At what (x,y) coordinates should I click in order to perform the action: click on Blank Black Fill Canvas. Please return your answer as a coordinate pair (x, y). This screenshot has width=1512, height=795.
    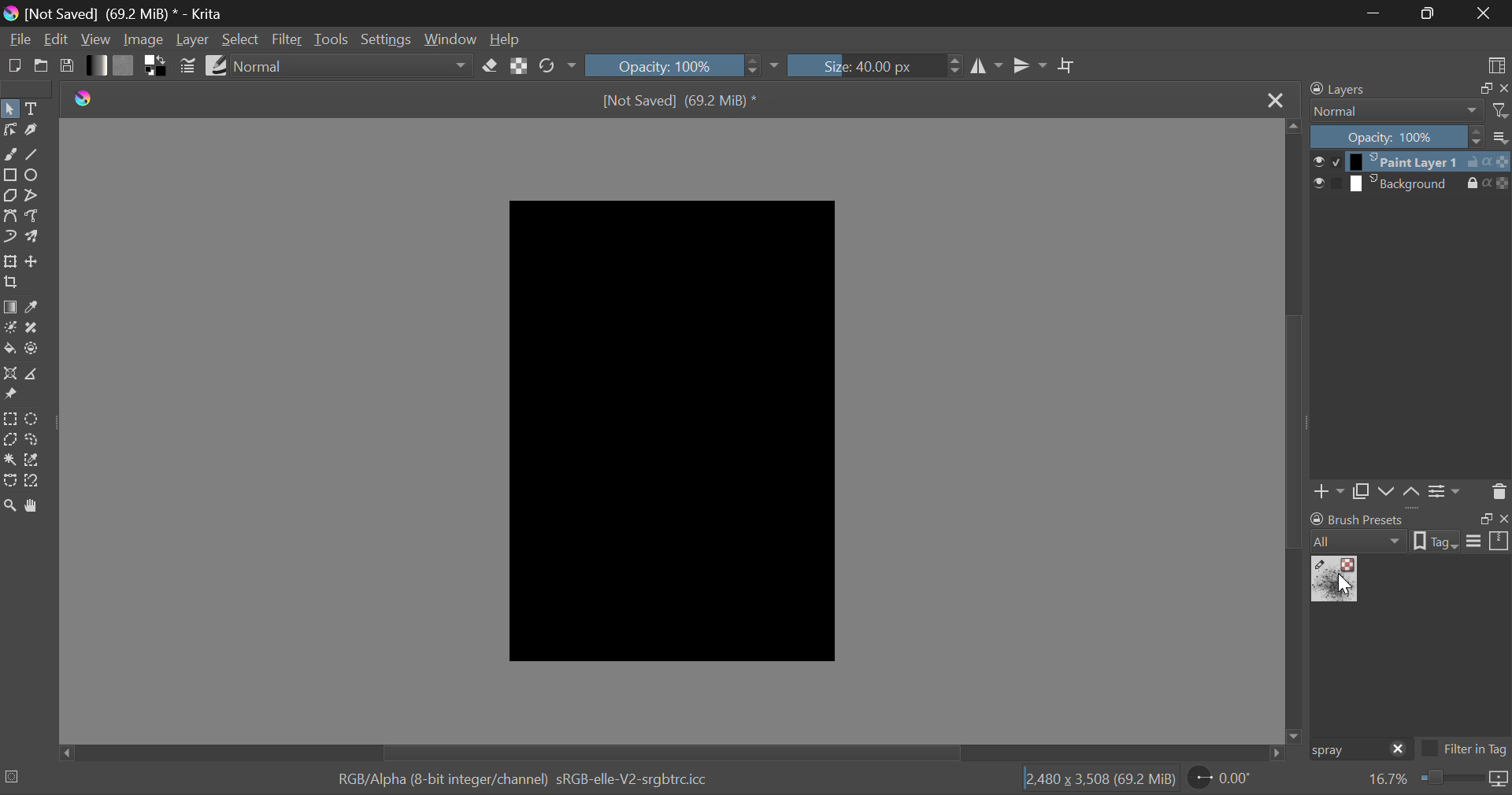
    Looking at the image, I should click on (670, 429).